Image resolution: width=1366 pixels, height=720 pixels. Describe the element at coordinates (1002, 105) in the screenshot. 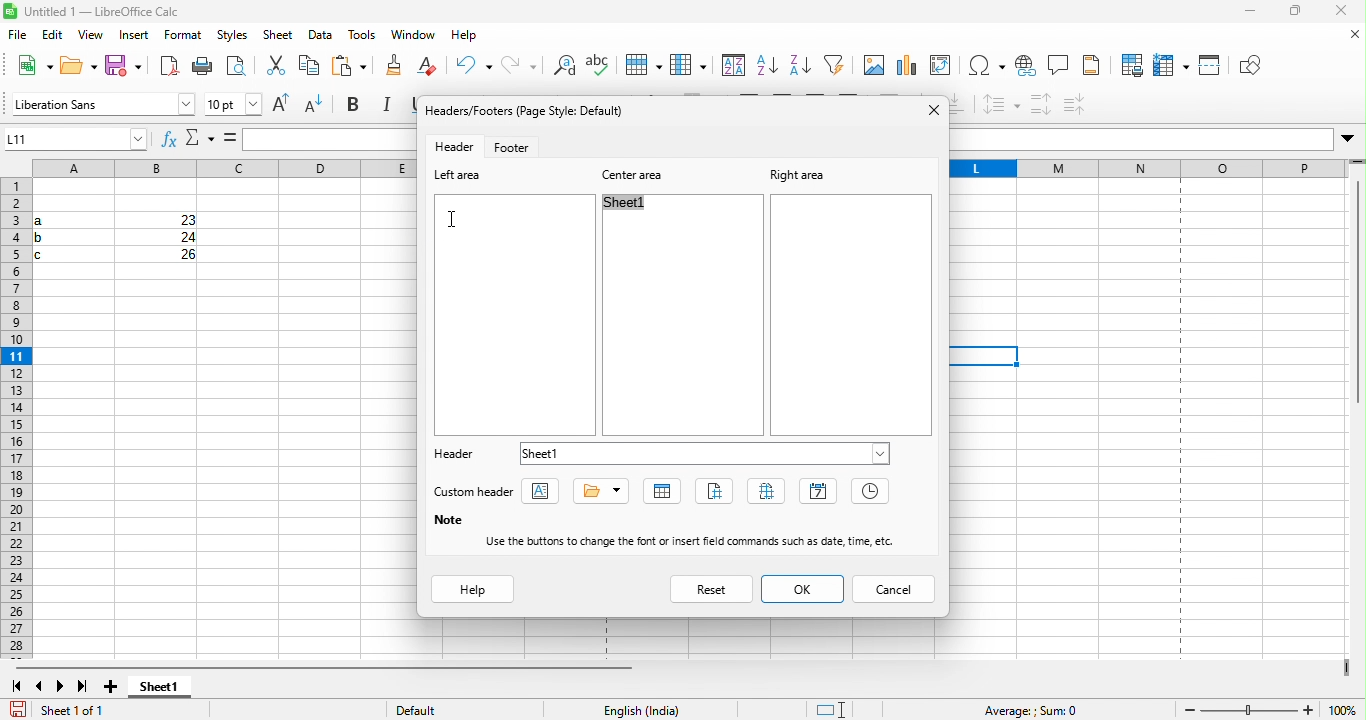

I see `set line spacing ` at that location.